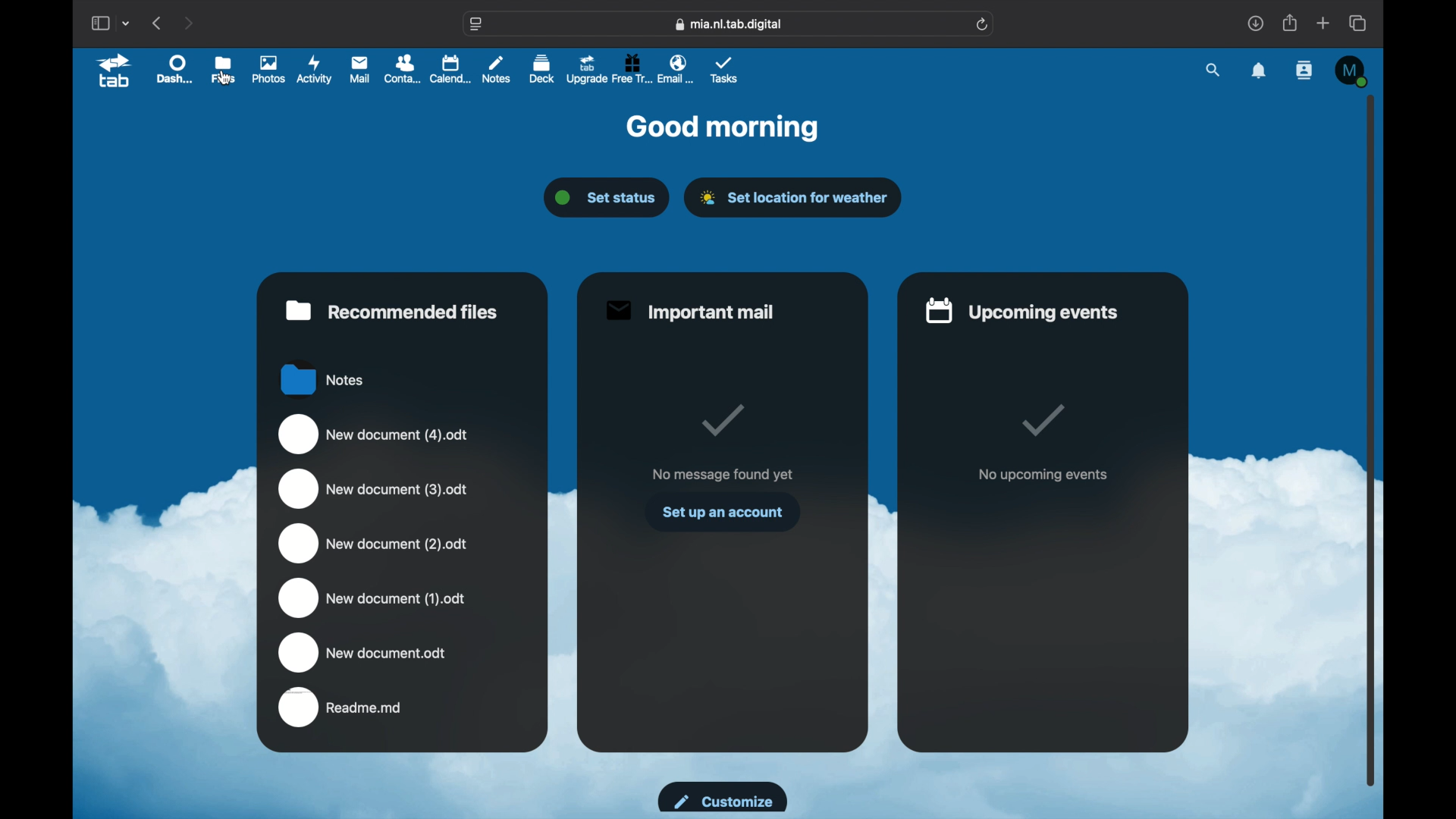 The image size is (1456, 819). What do you see at coordinates (158, 24) in the screenshot?
I see `previous` at bounding box center [158, 24].